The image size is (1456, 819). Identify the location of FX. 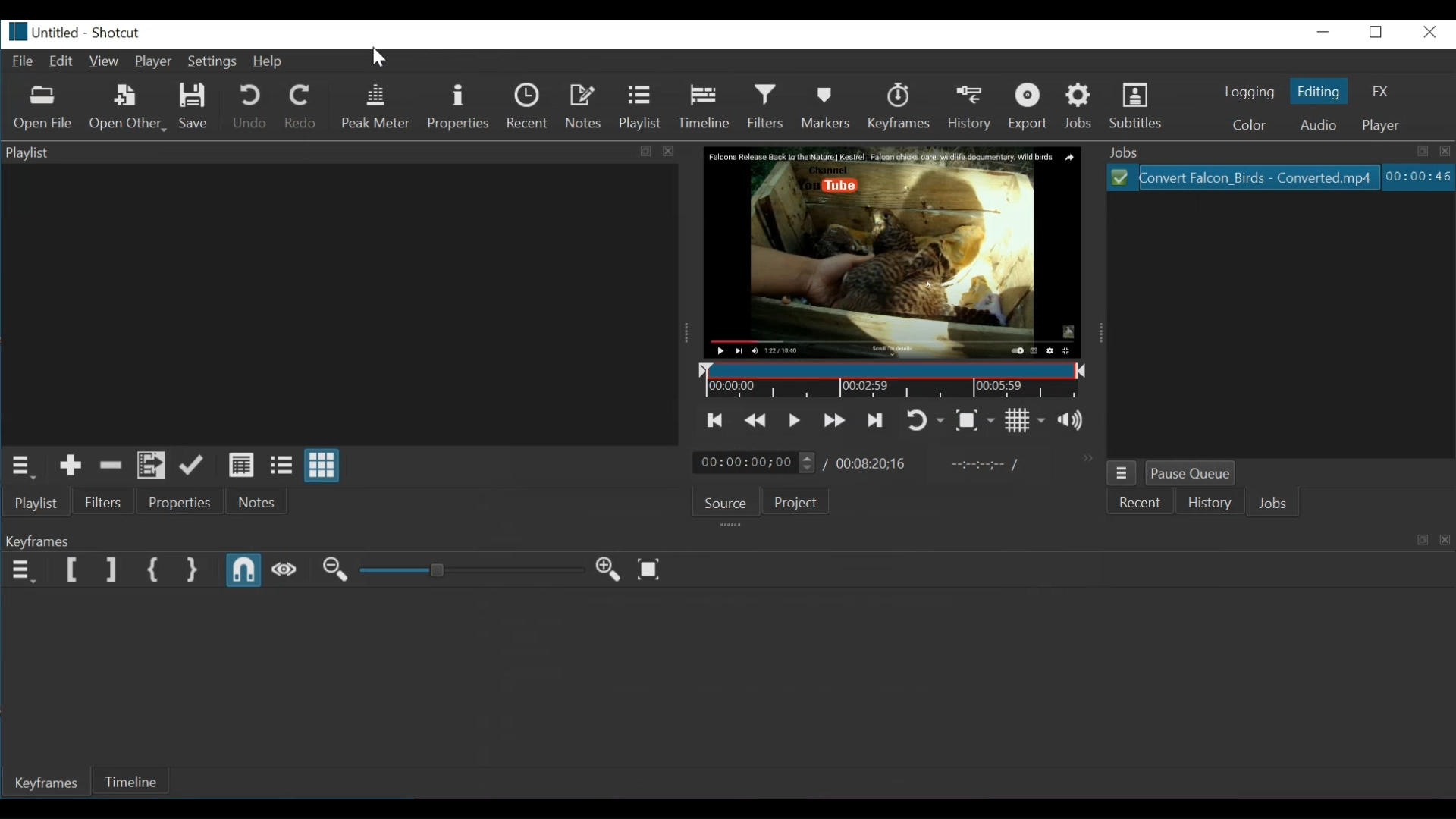
(1378, 91).